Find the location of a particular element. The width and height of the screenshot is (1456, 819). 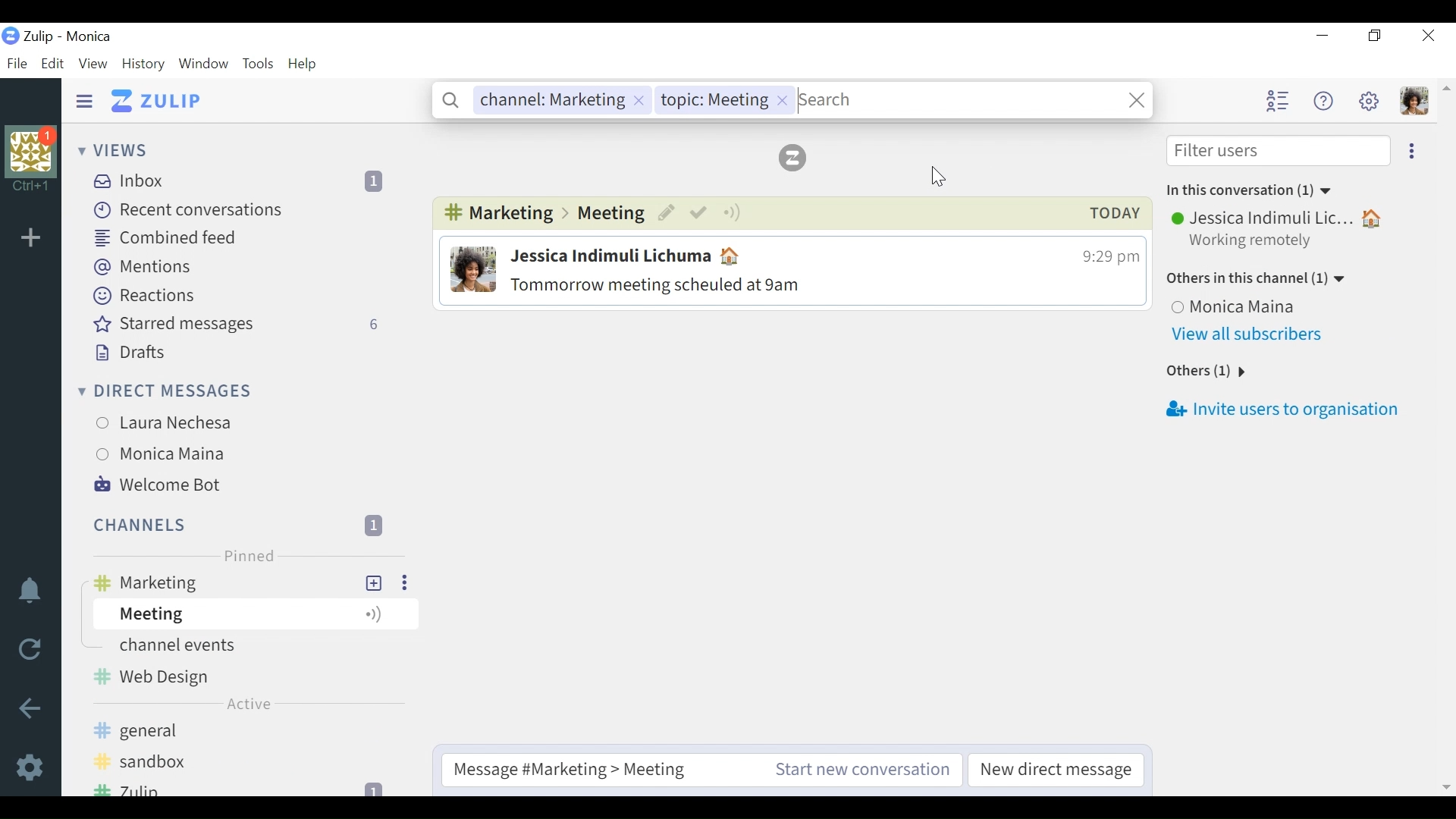

channel events is located at coordinates (218, 645).